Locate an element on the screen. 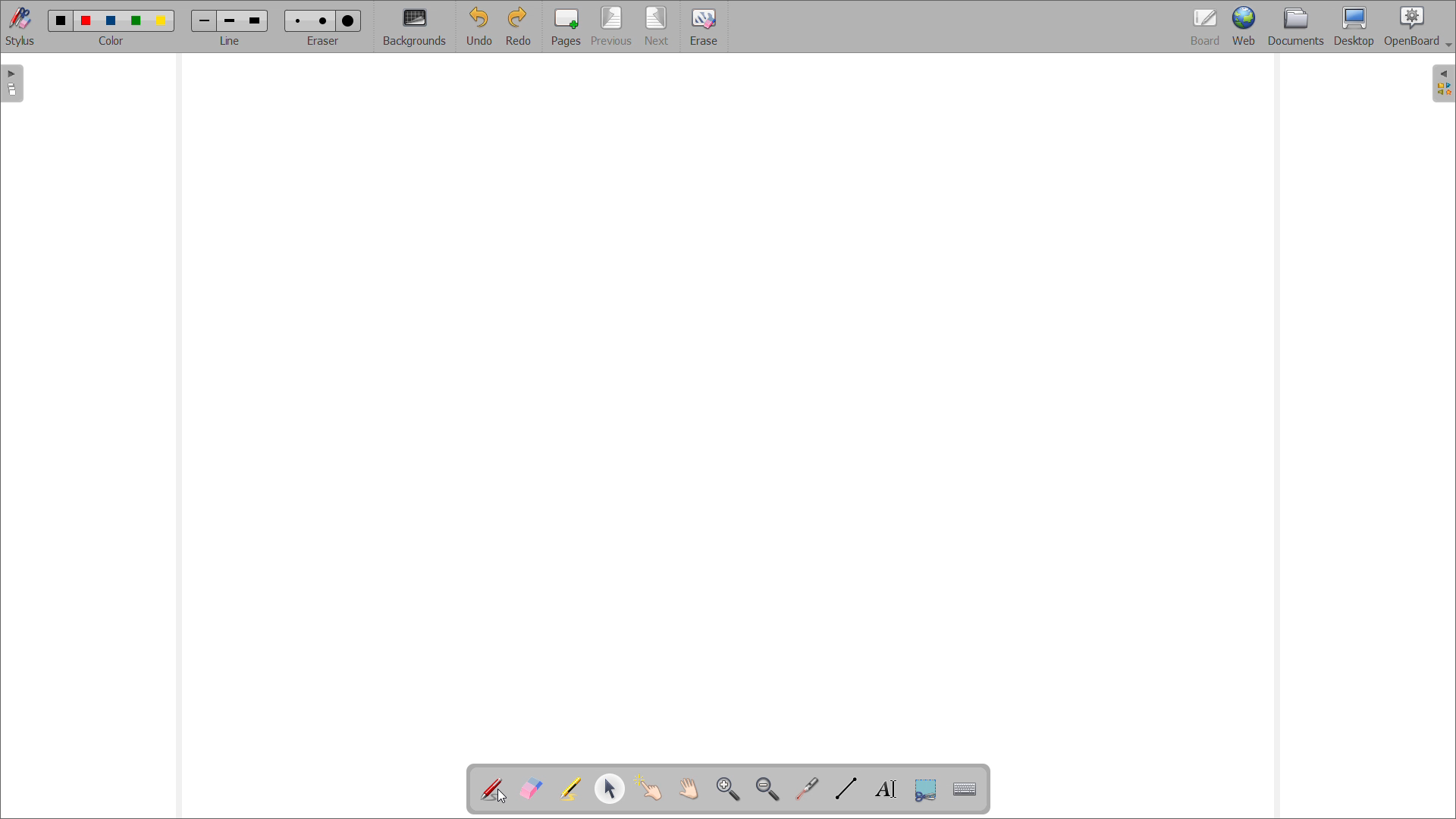  select and modify objects is located at coordinates (610, 789).